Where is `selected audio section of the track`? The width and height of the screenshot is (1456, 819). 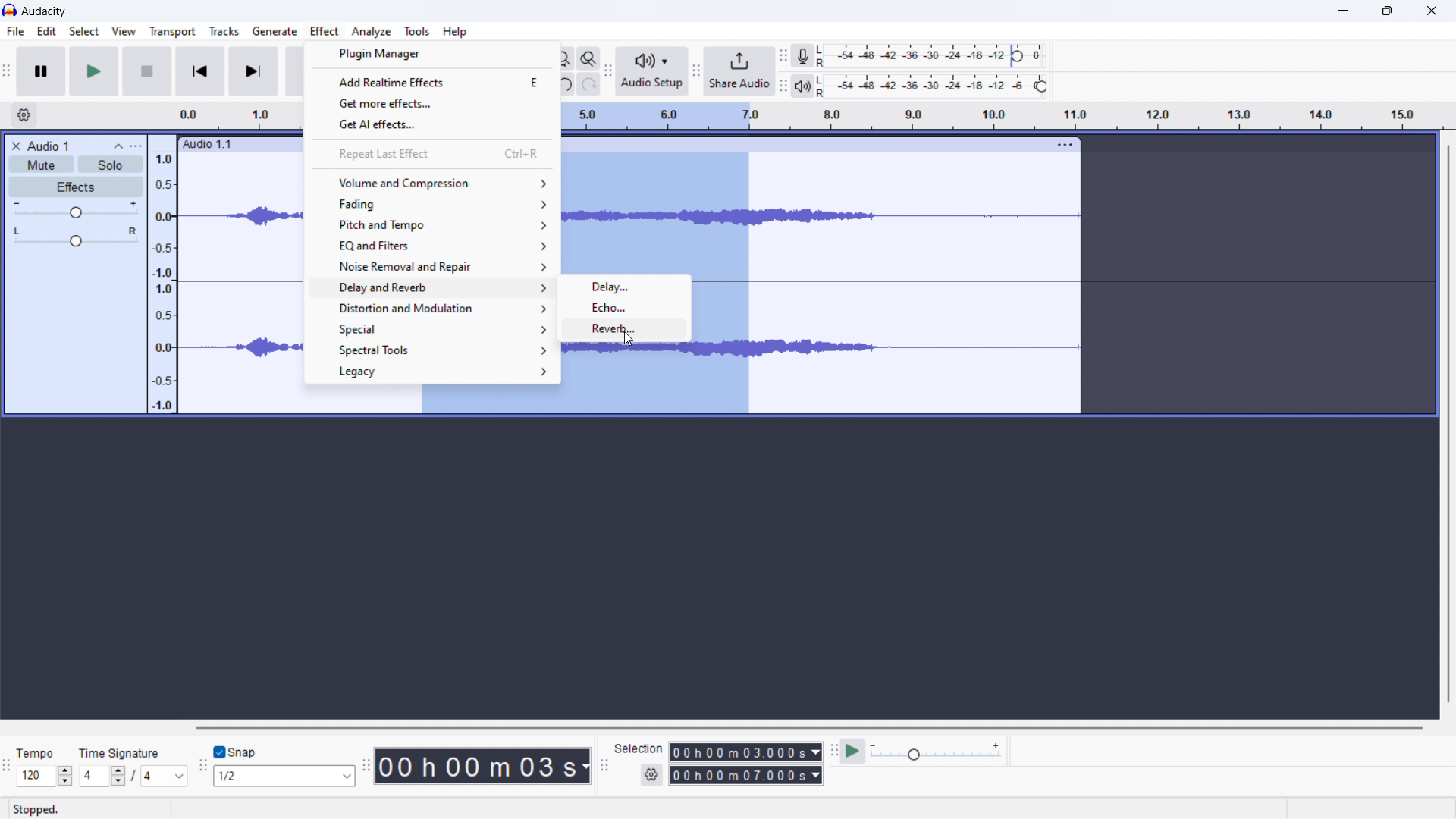
selected audio section of the track is located at coordinates (720, 281).